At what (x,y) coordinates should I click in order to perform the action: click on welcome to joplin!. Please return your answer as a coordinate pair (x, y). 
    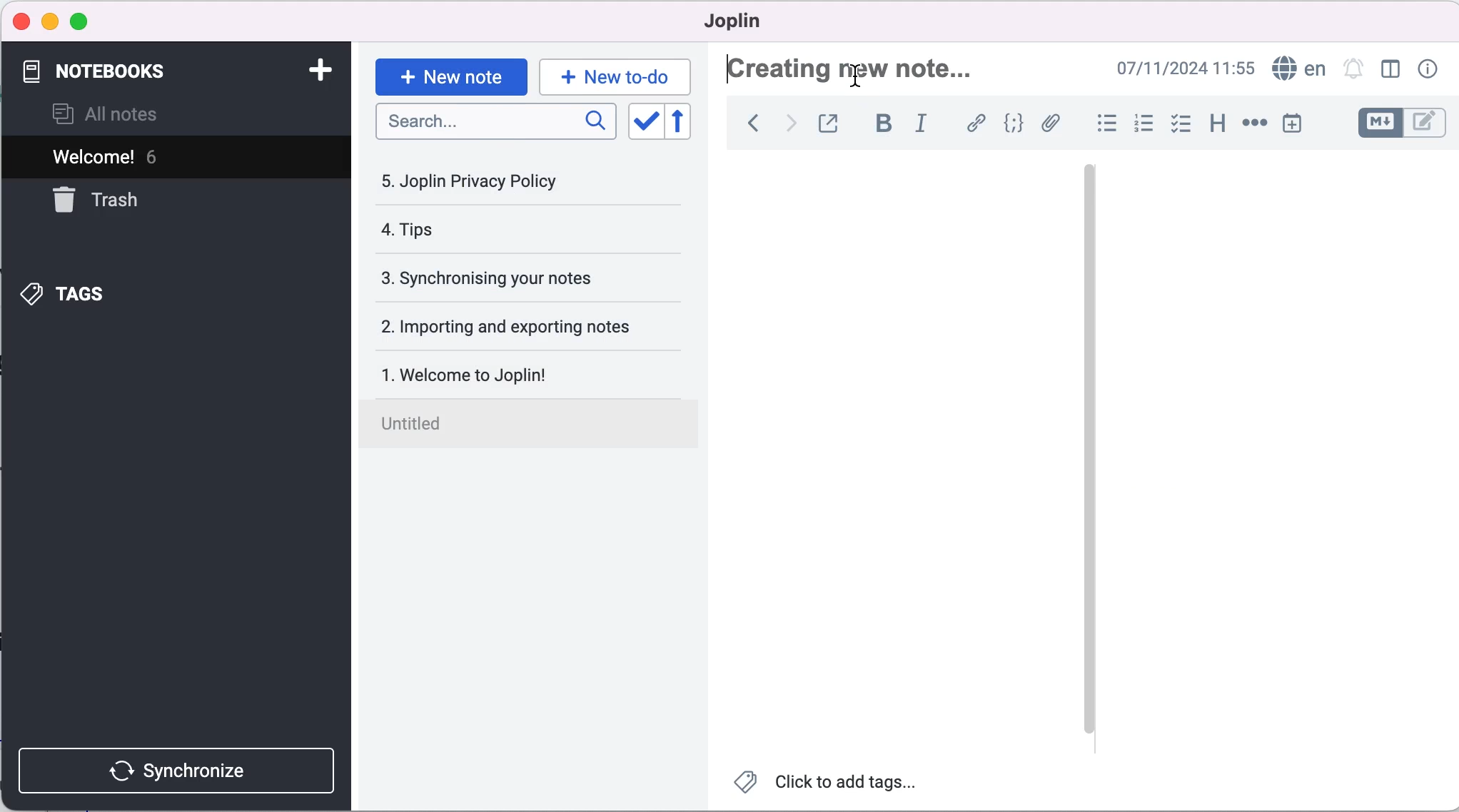
    Looking at the image, I should click on (515, 377).